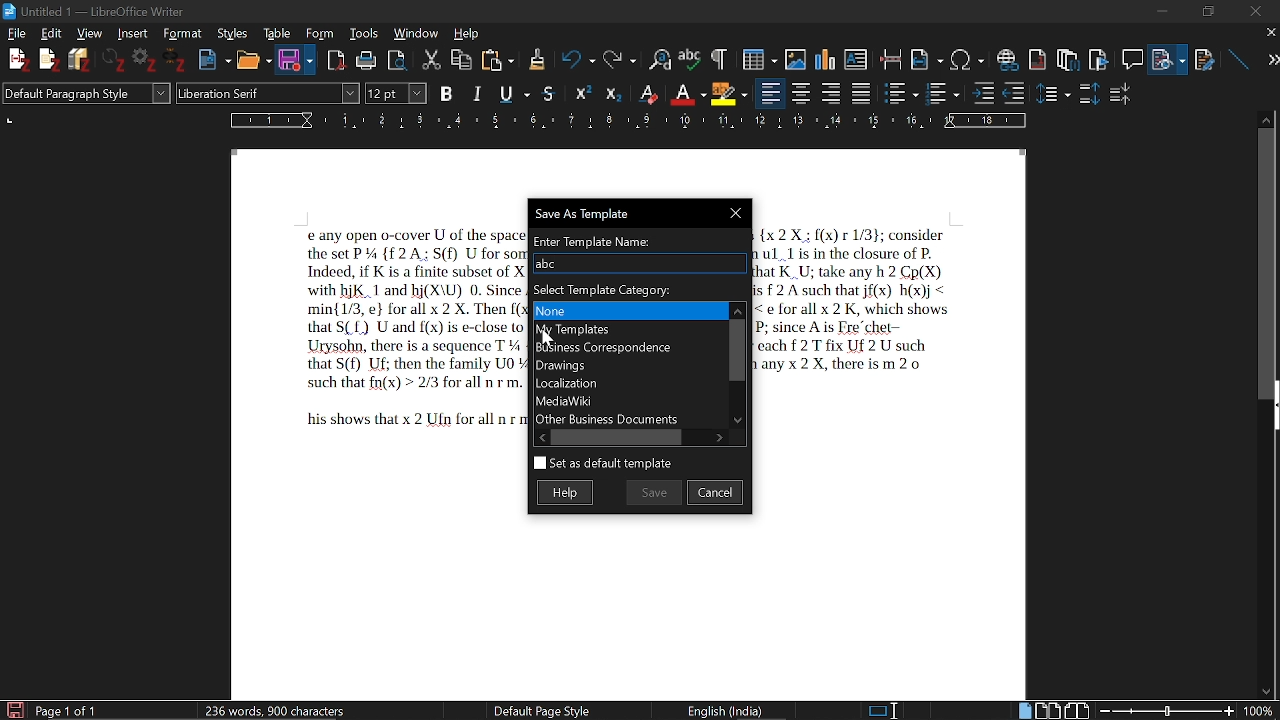 This screenshot has width=1280, height=720. Describe the element at coordinates (178, 62) in the screenshot. I see `` at that location.